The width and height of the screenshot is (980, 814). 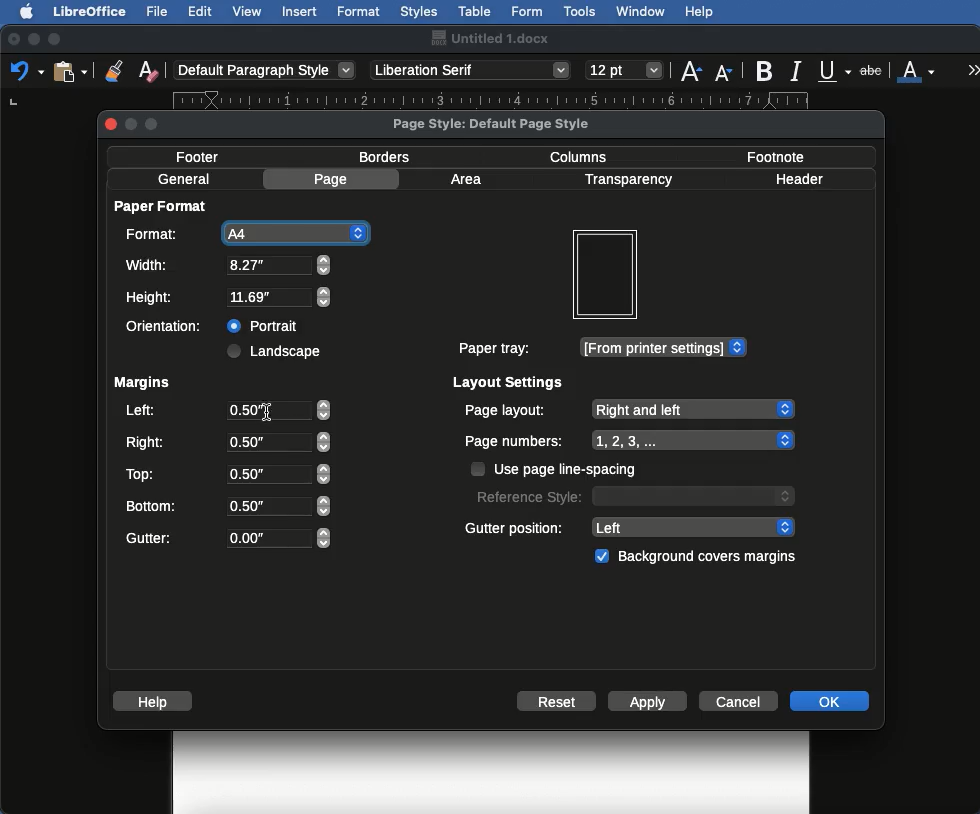 I want to click on OK, so click(x=829, y=700).